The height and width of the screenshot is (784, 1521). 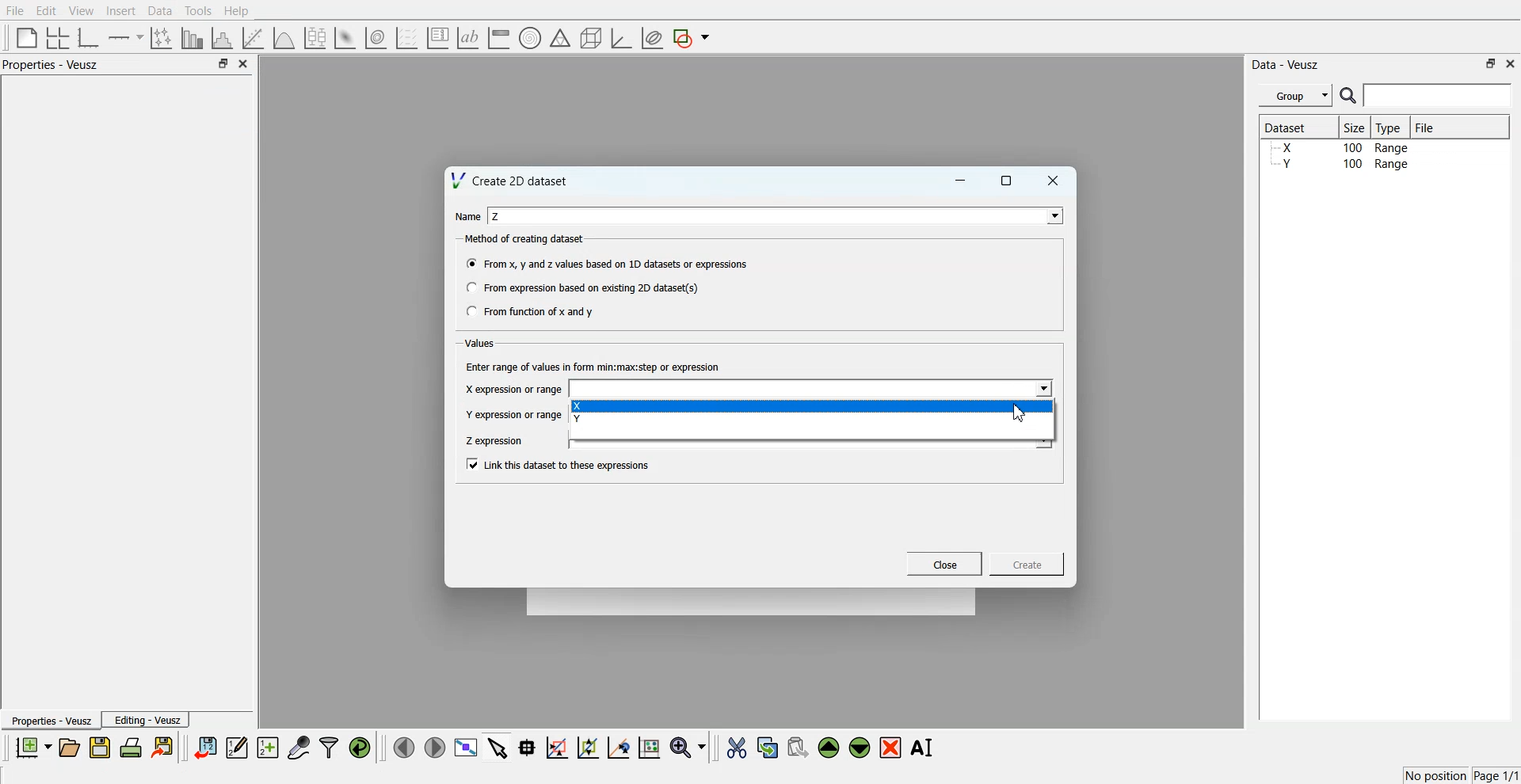 I want to click on Properties - Veusz, so click(x=51, y=64).